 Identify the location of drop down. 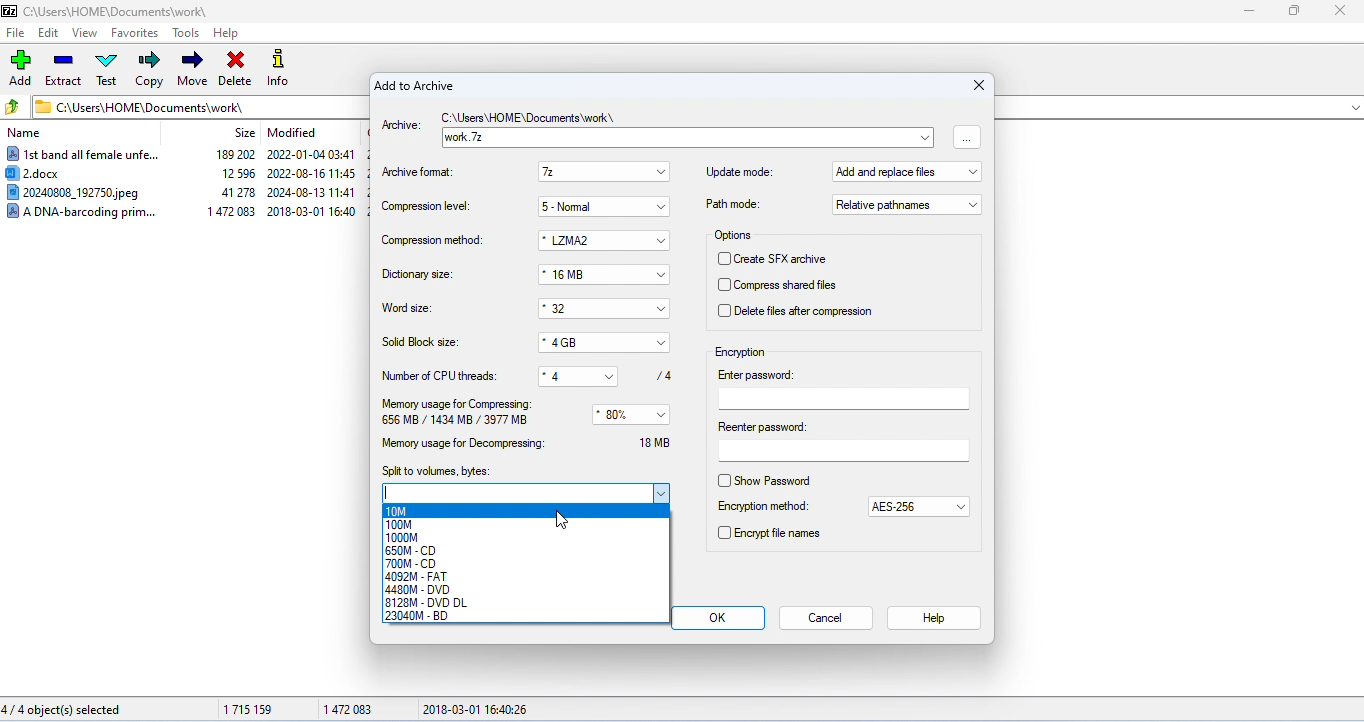
(663, 494).